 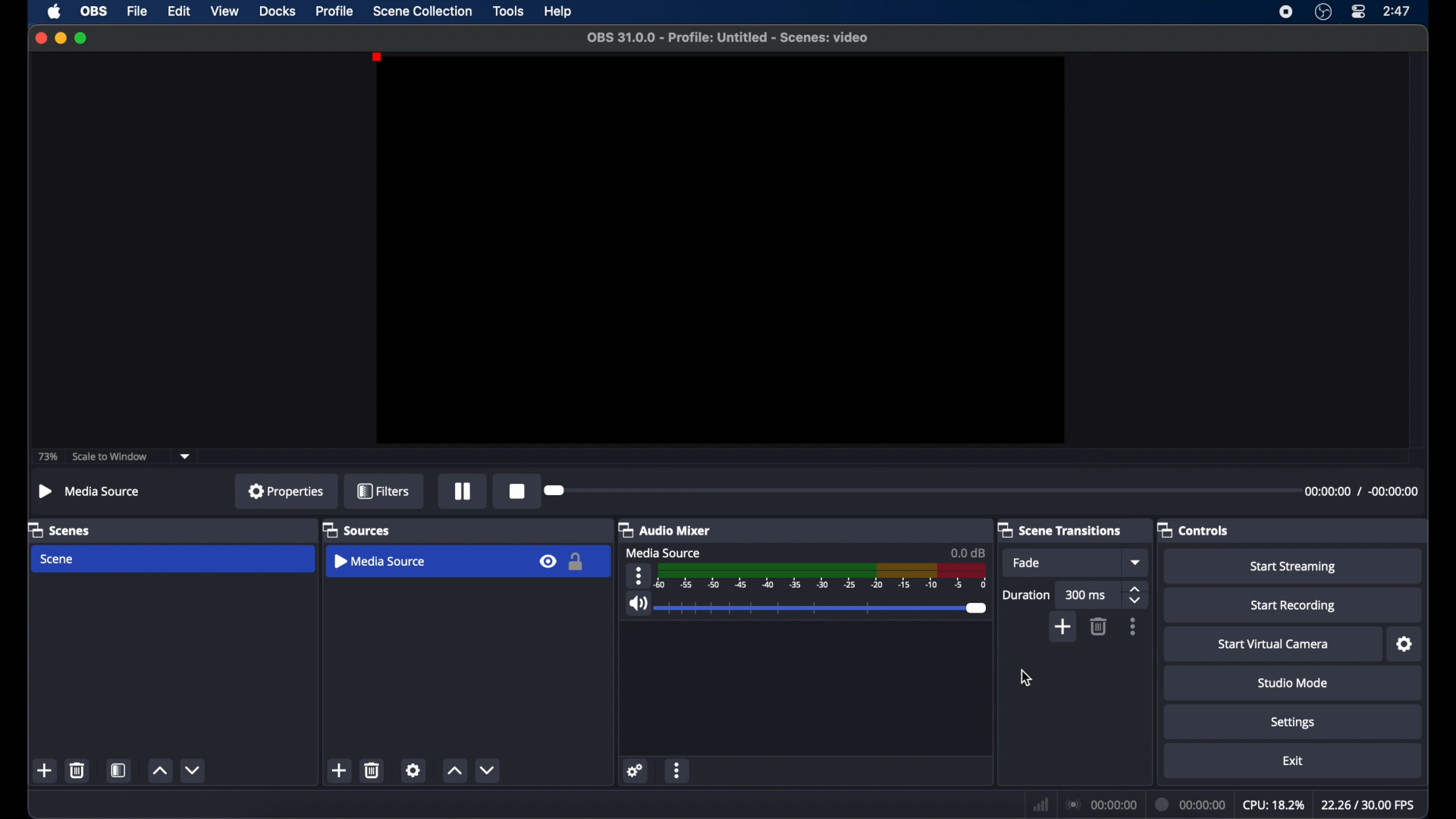 What do you see at coordinates (1360, 493) in the screenshot?
I see `Timestamp` at bounding box center [1360, 493].